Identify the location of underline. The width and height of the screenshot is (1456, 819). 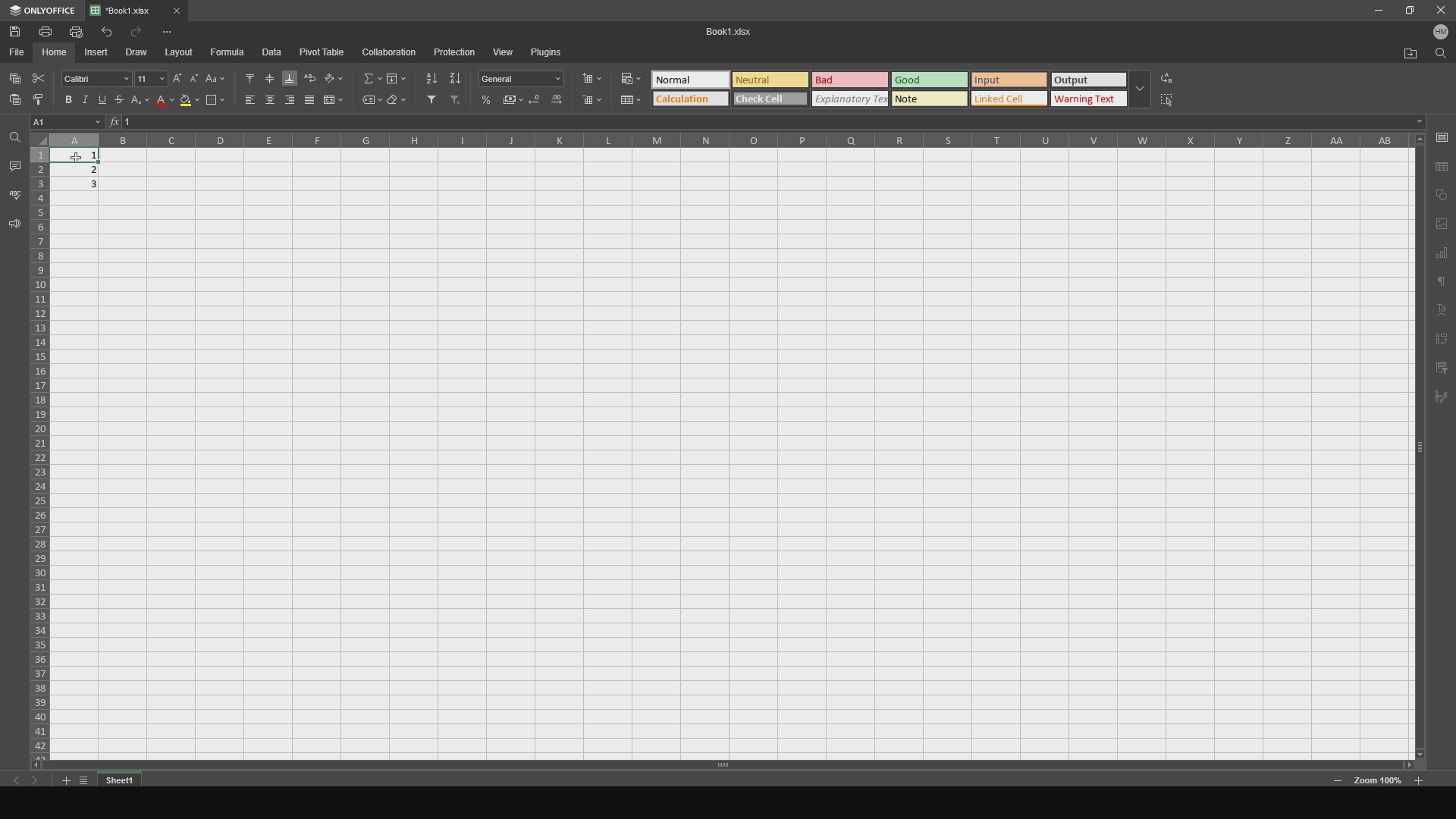
(106, 102).